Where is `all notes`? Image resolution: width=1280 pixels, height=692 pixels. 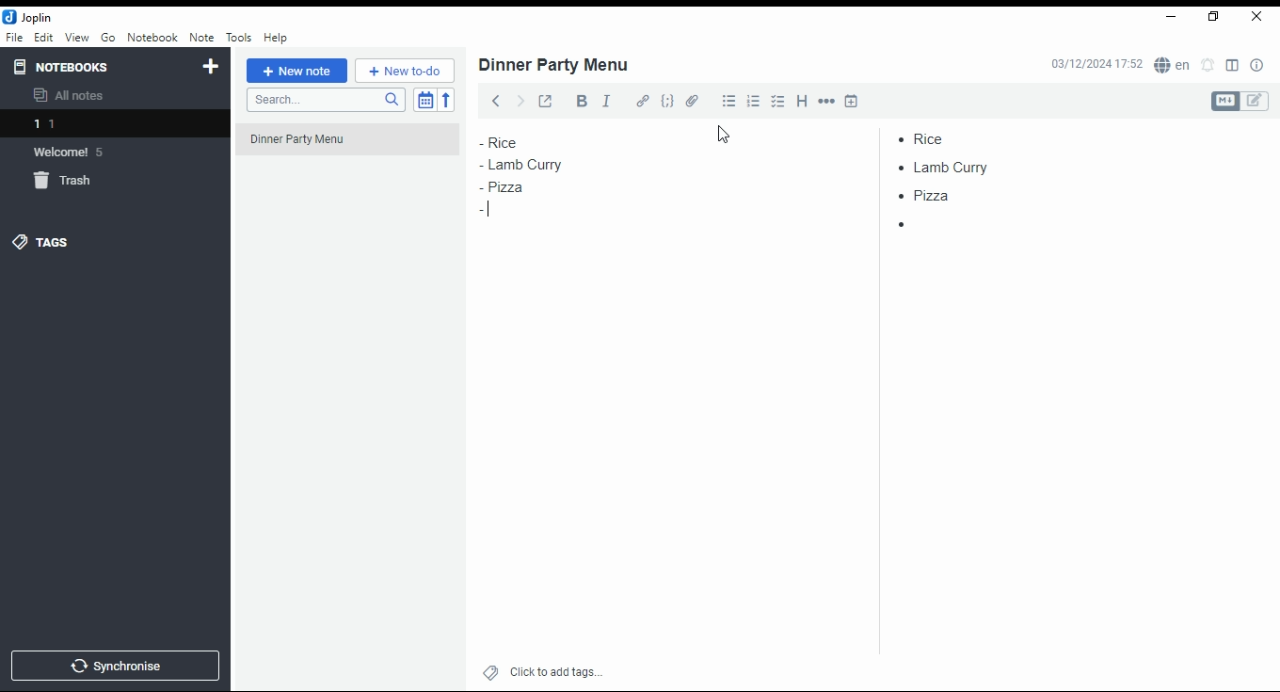 all notes is located at coordinates (74, 96).